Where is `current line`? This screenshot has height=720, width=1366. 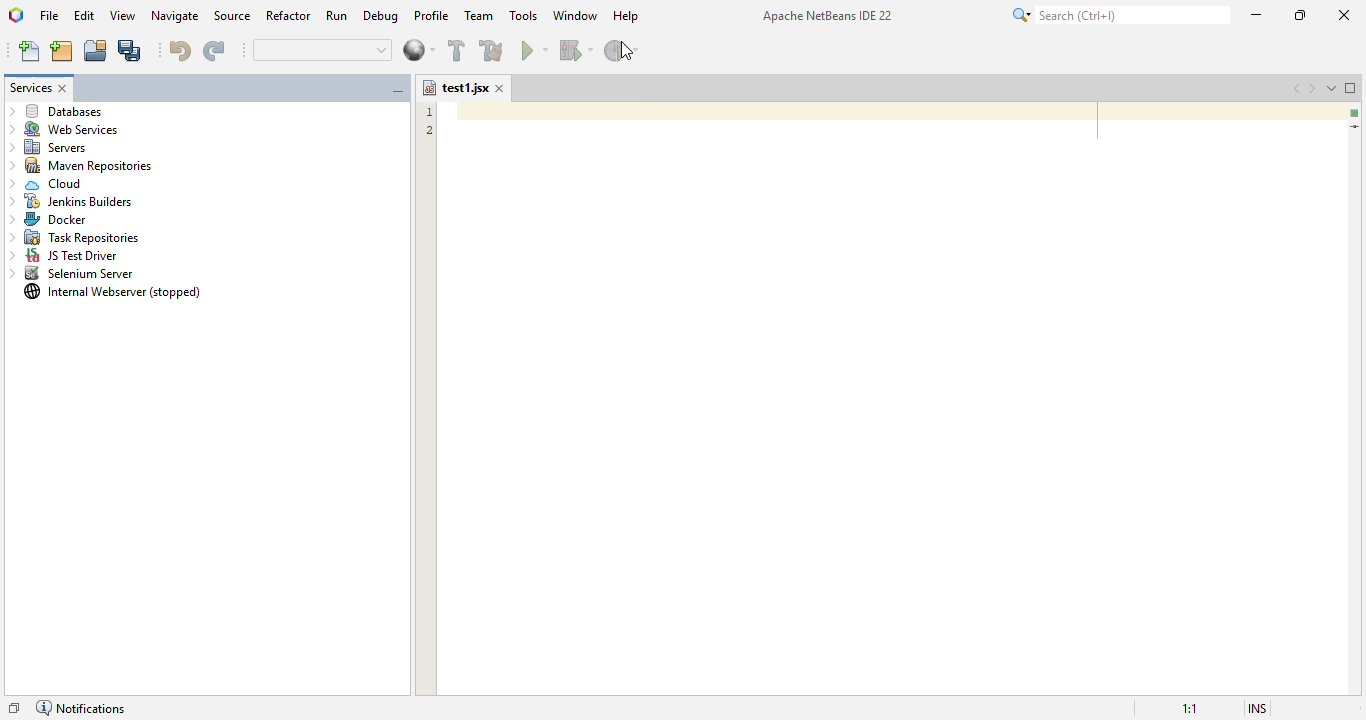
current line is located at coordinates (1354, 128).